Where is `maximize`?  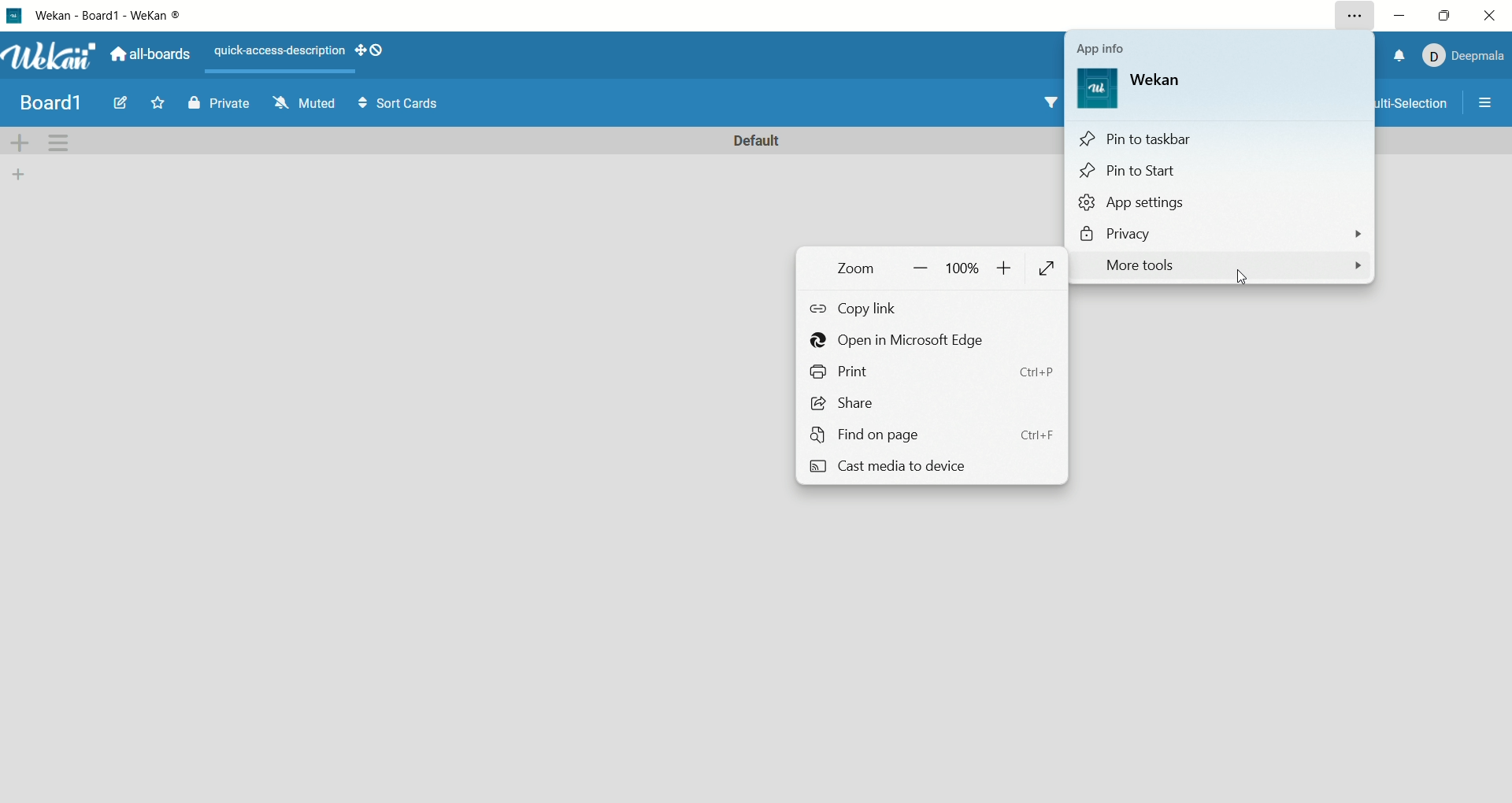
maximize is located at coordinates (1442, 18).